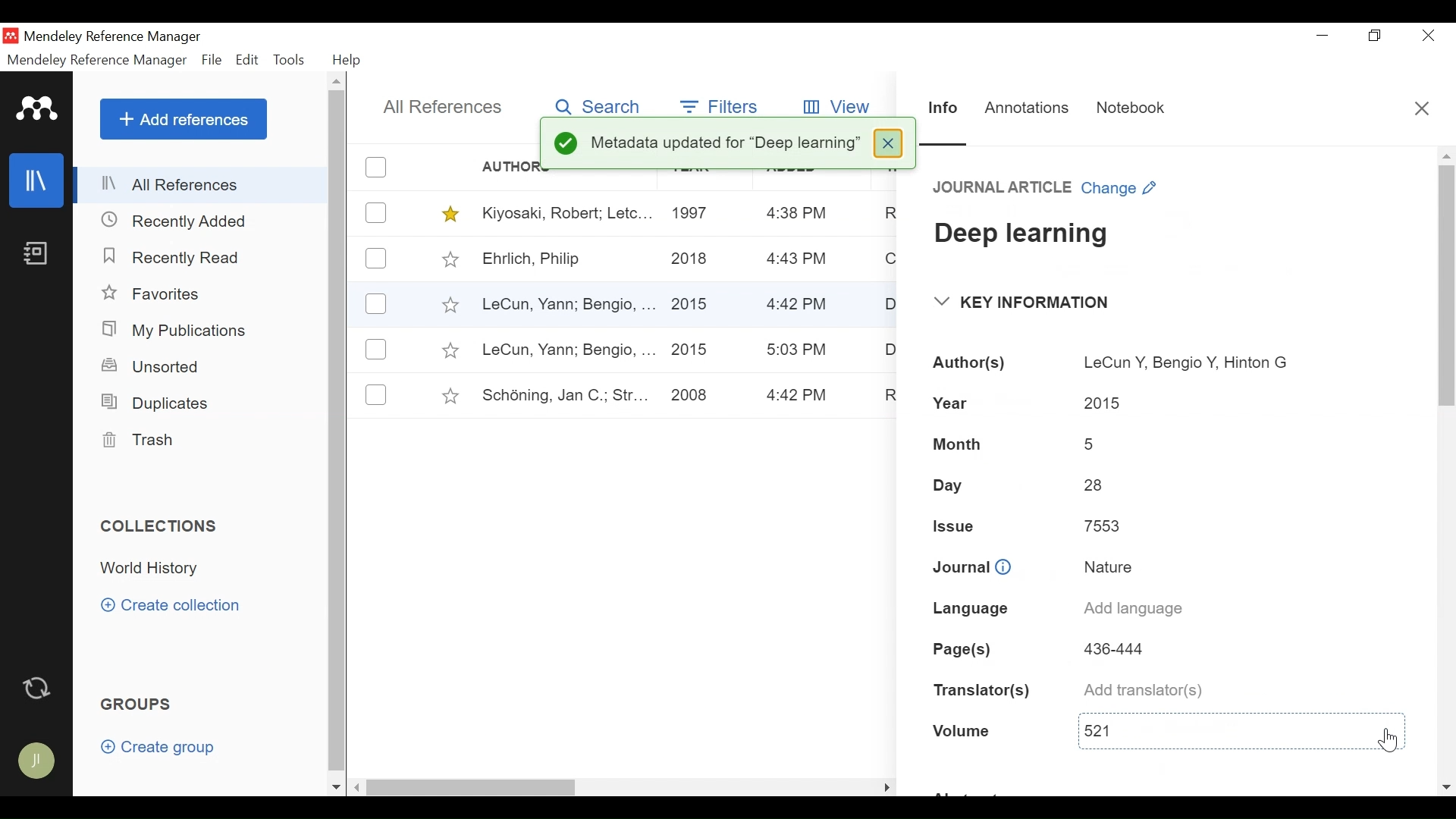  What do you see at coordinates (799, 306) in the screenshot?
I see `Time` at bounding box center [799, 306].